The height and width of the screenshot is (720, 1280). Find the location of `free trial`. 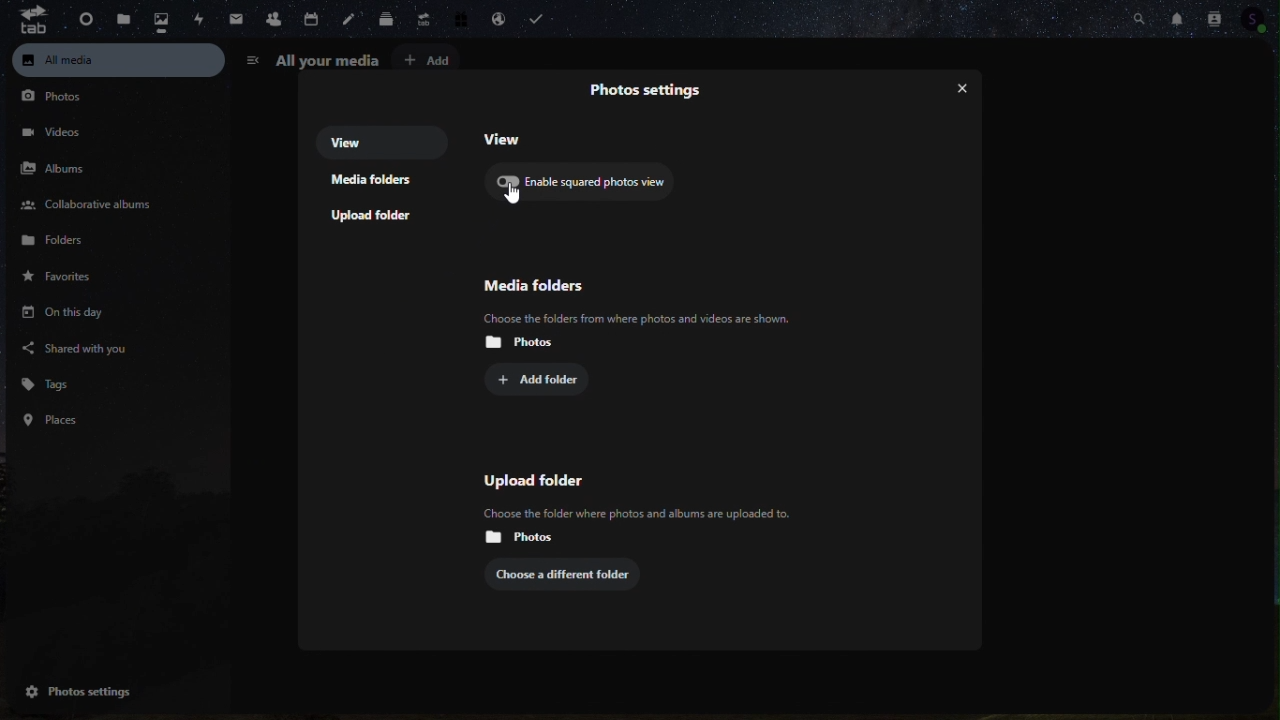

free trial is located at coordinates (463, 19).